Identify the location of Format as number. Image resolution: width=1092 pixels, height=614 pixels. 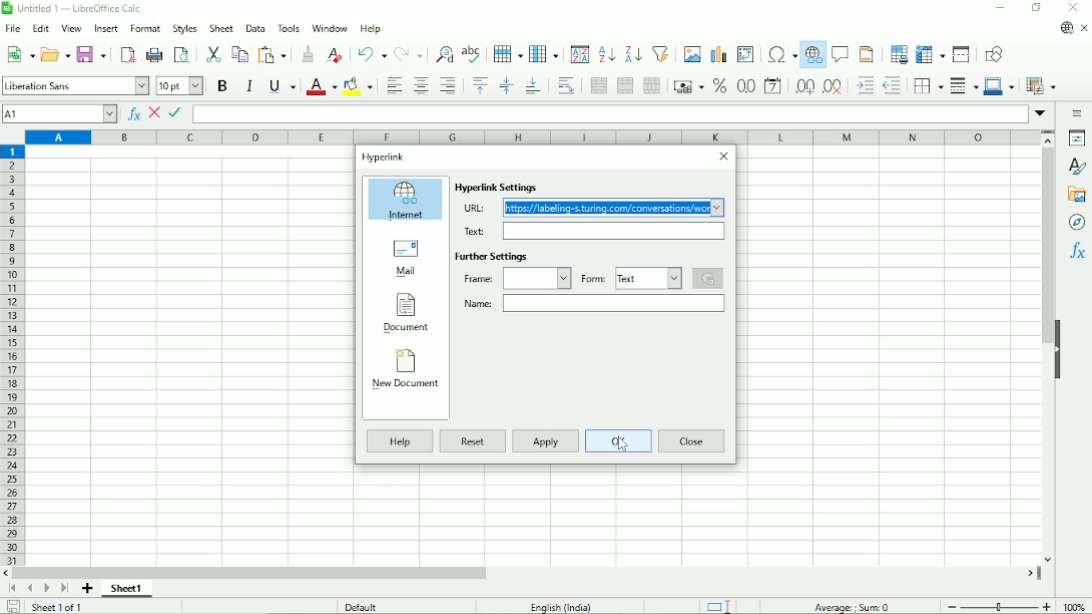
(745, 86).